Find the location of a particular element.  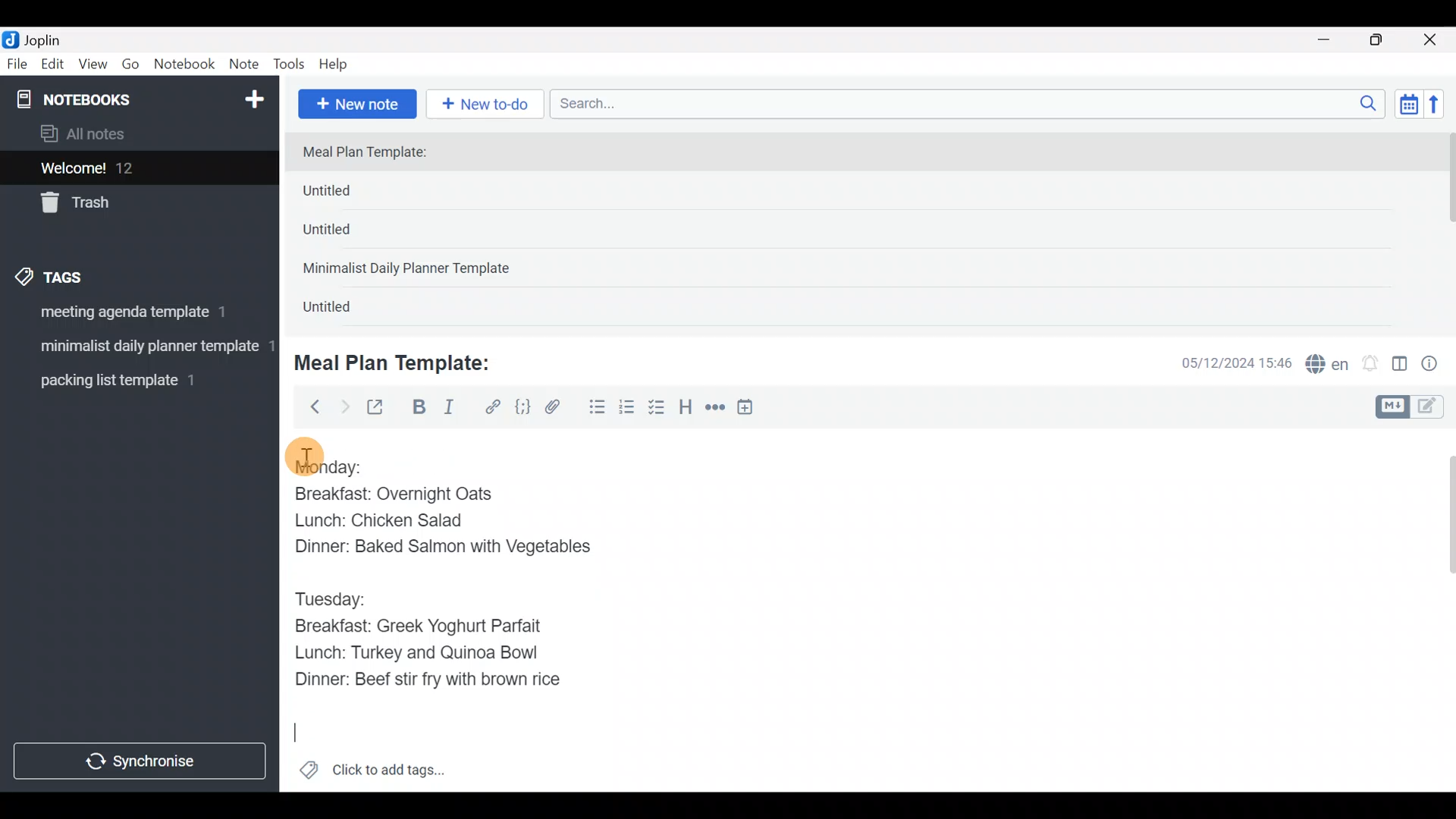

Toggle external editing is located at coordinates (381, 408).